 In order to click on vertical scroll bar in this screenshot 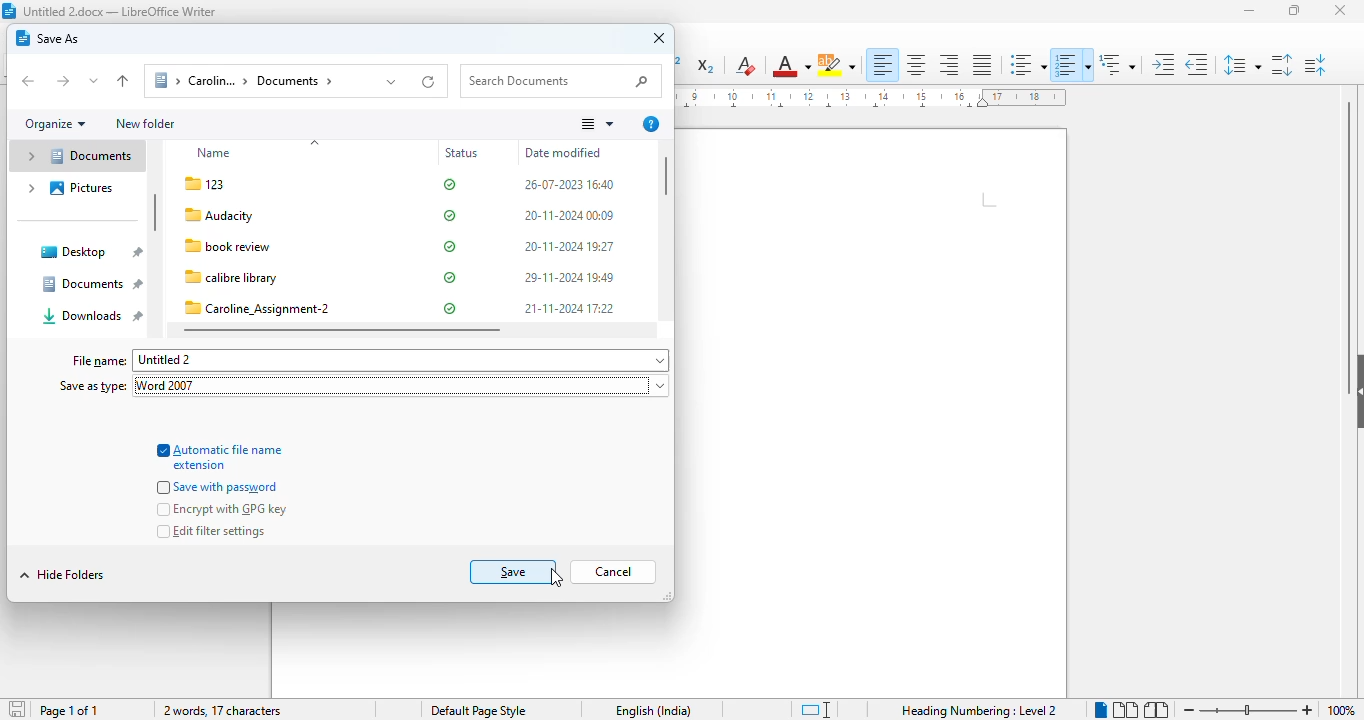, I will do `click(155, 213)`.